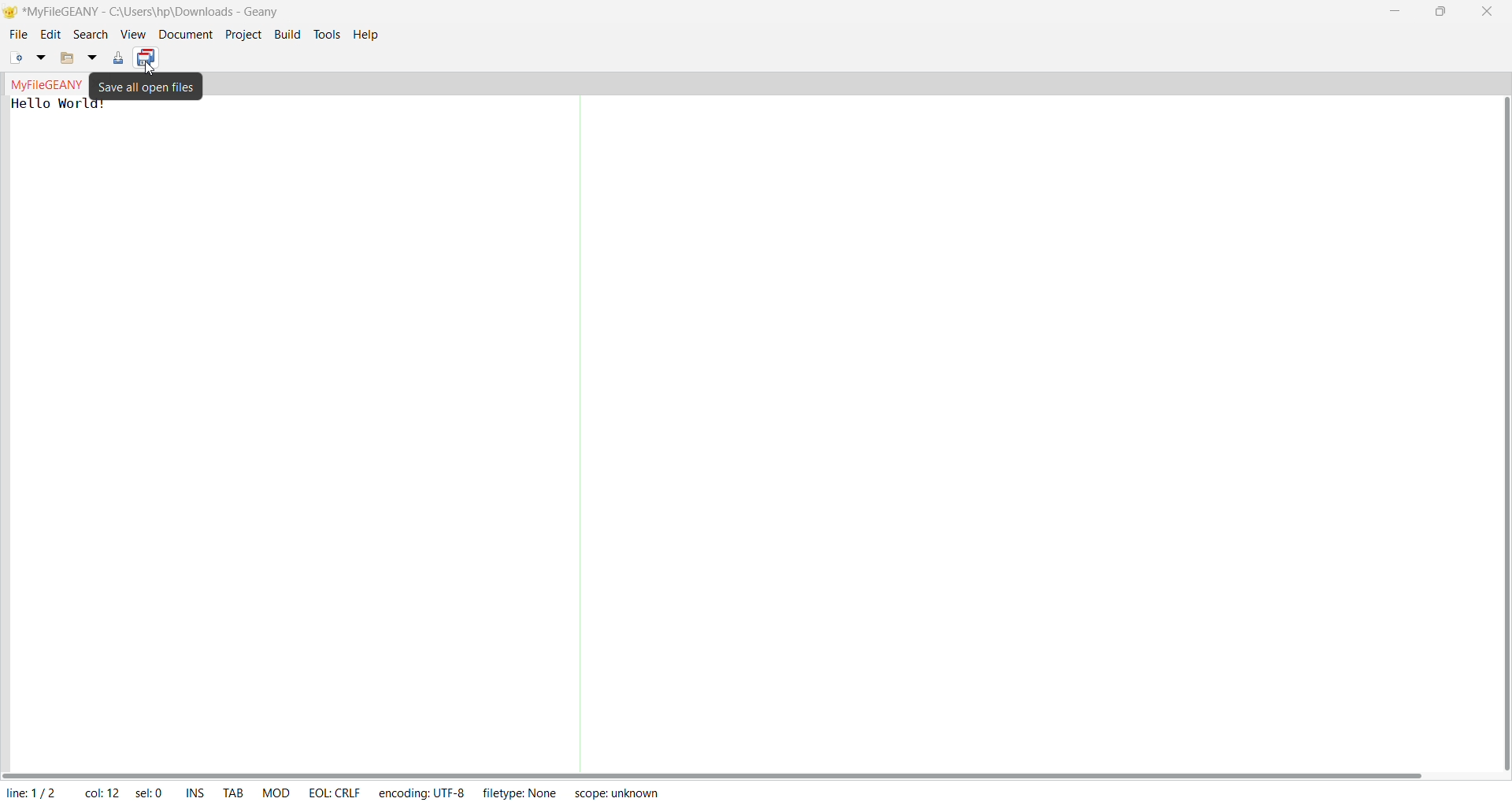 This screenshot has width=1512, height=802. What do you see at coordinates (17, 57) in the screenshot?
I see `New File` at bounding box center [17, 57].